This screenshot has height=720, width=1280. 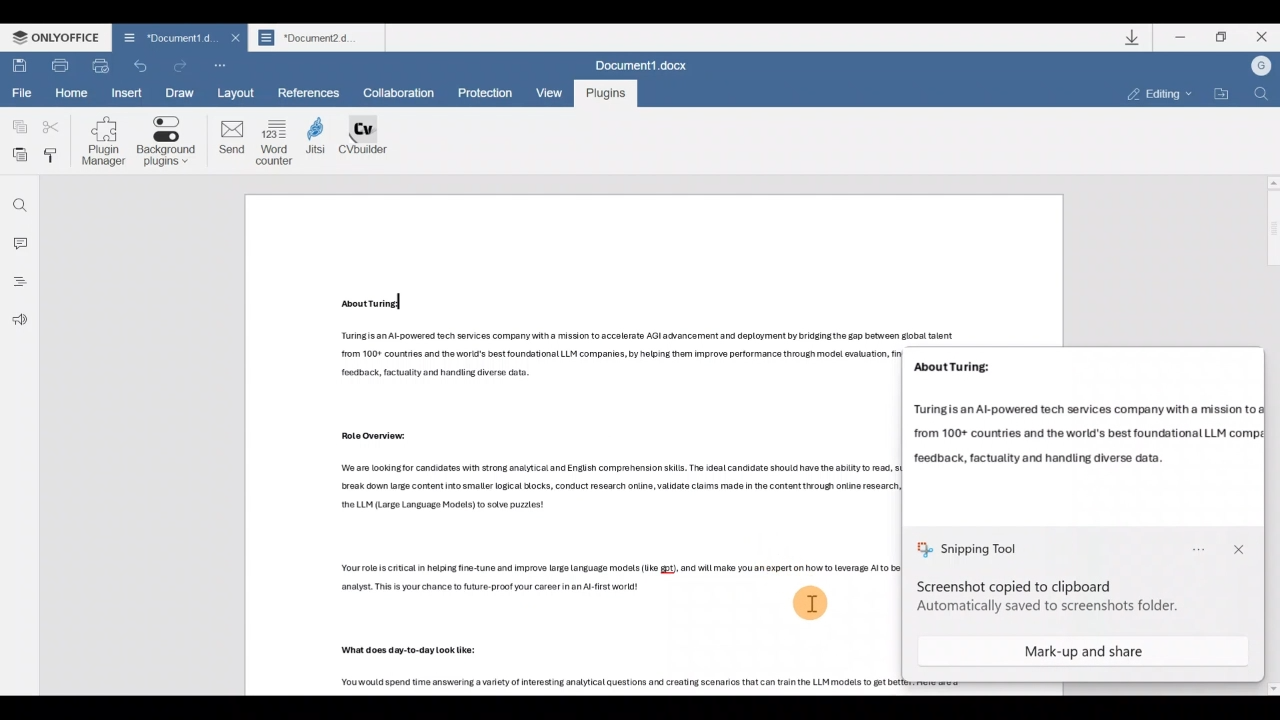 What do you see at coordinates (25, 95) in the screenshot?
I see `File` at bounding box center [25, 95].